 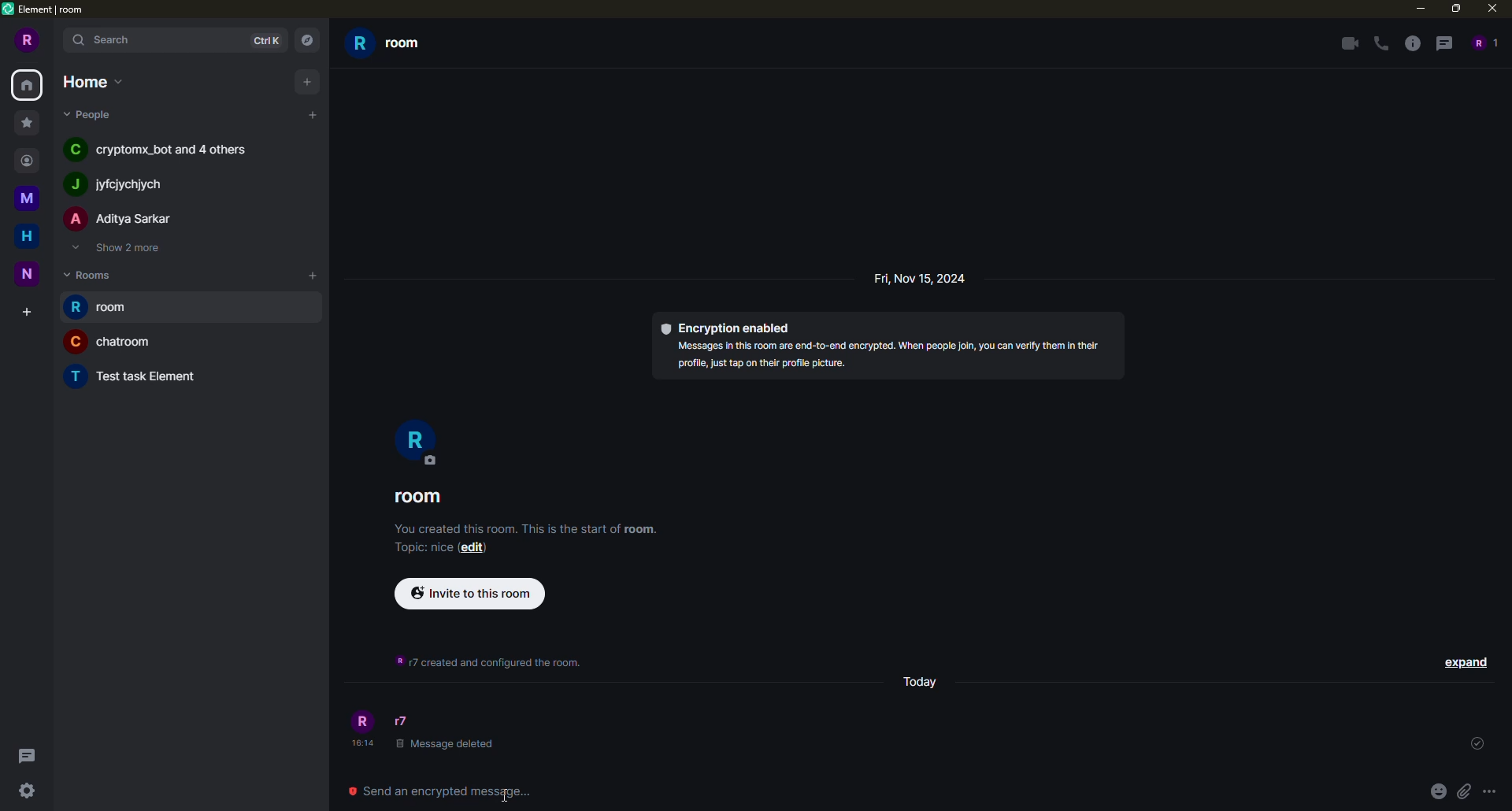 I want to click on space, so click(x=29, y=196).